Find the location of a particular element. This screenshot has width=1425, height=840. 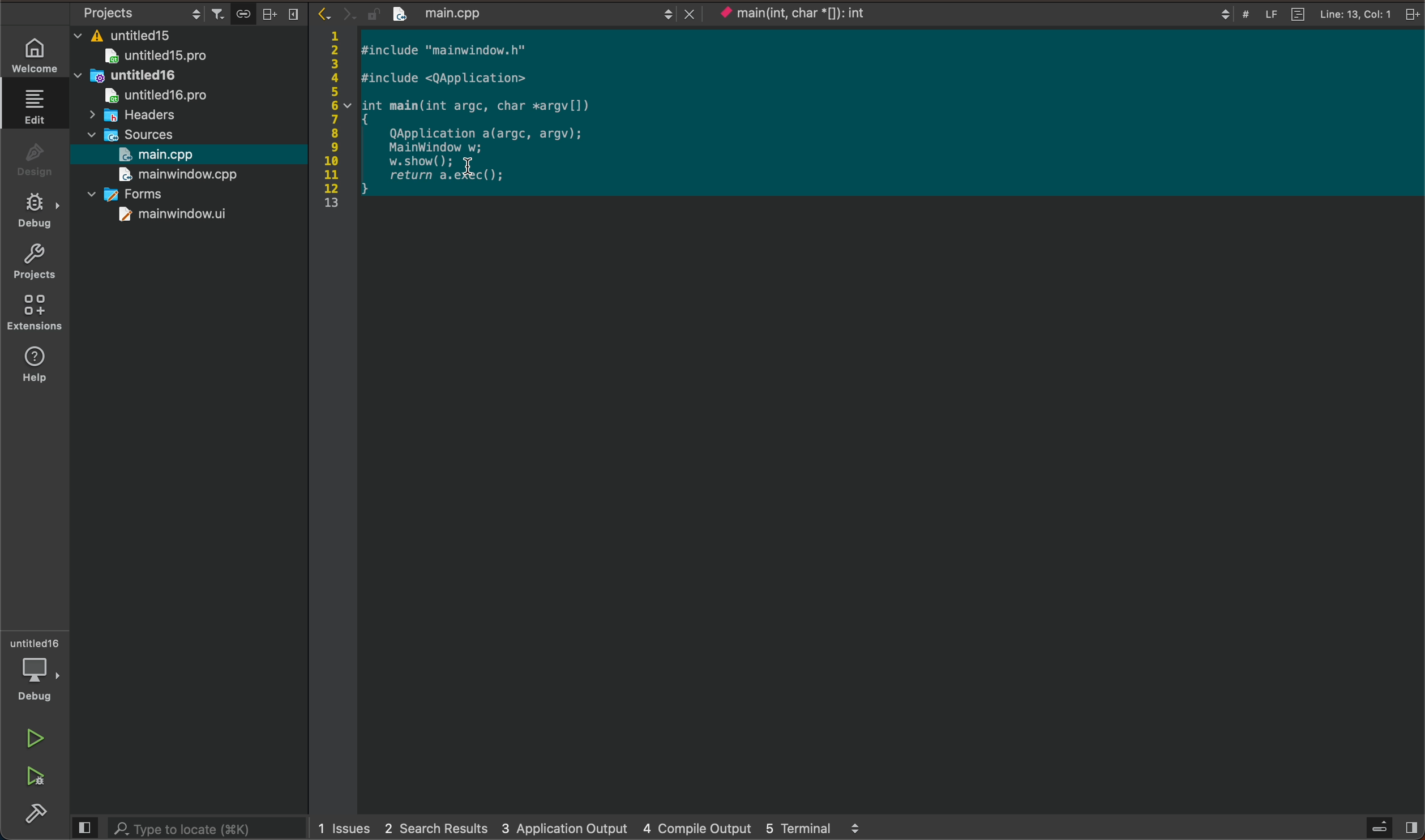

headers is located at coordinates (131, 115).